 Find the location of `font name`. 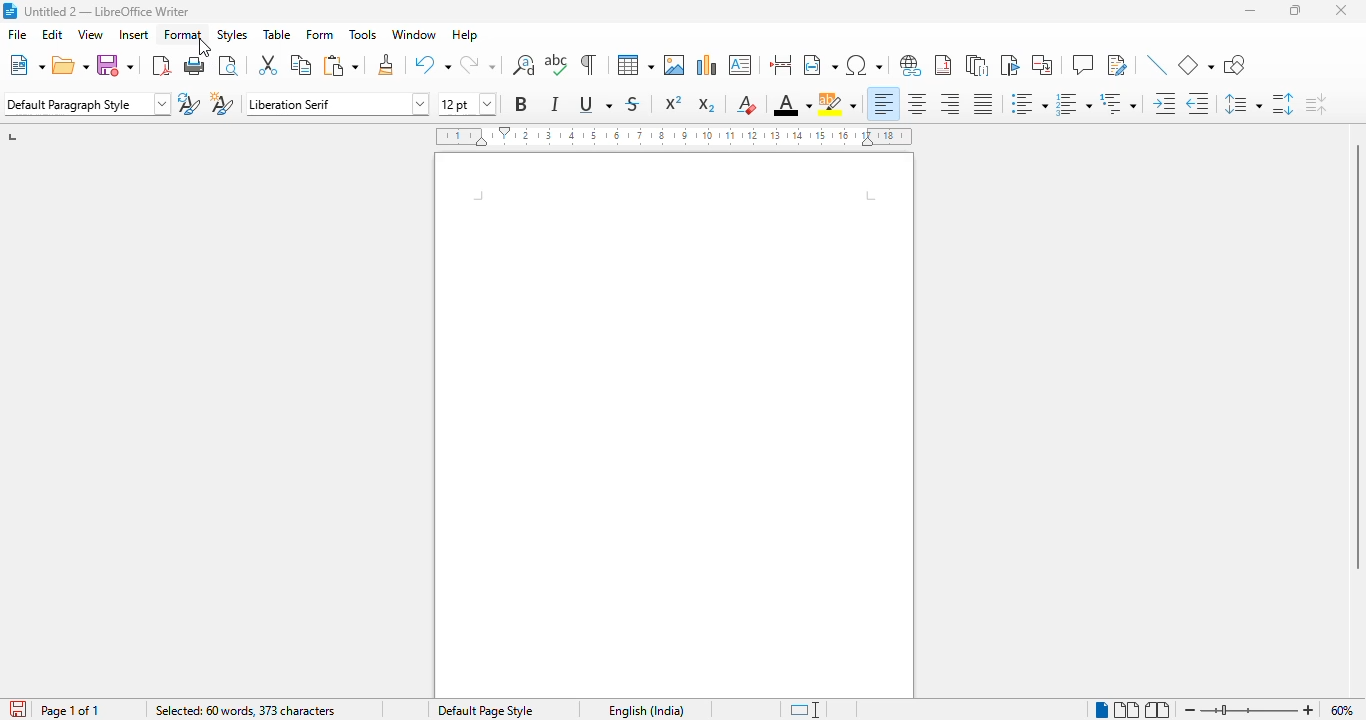

font name is located at coordinates (336, 104).